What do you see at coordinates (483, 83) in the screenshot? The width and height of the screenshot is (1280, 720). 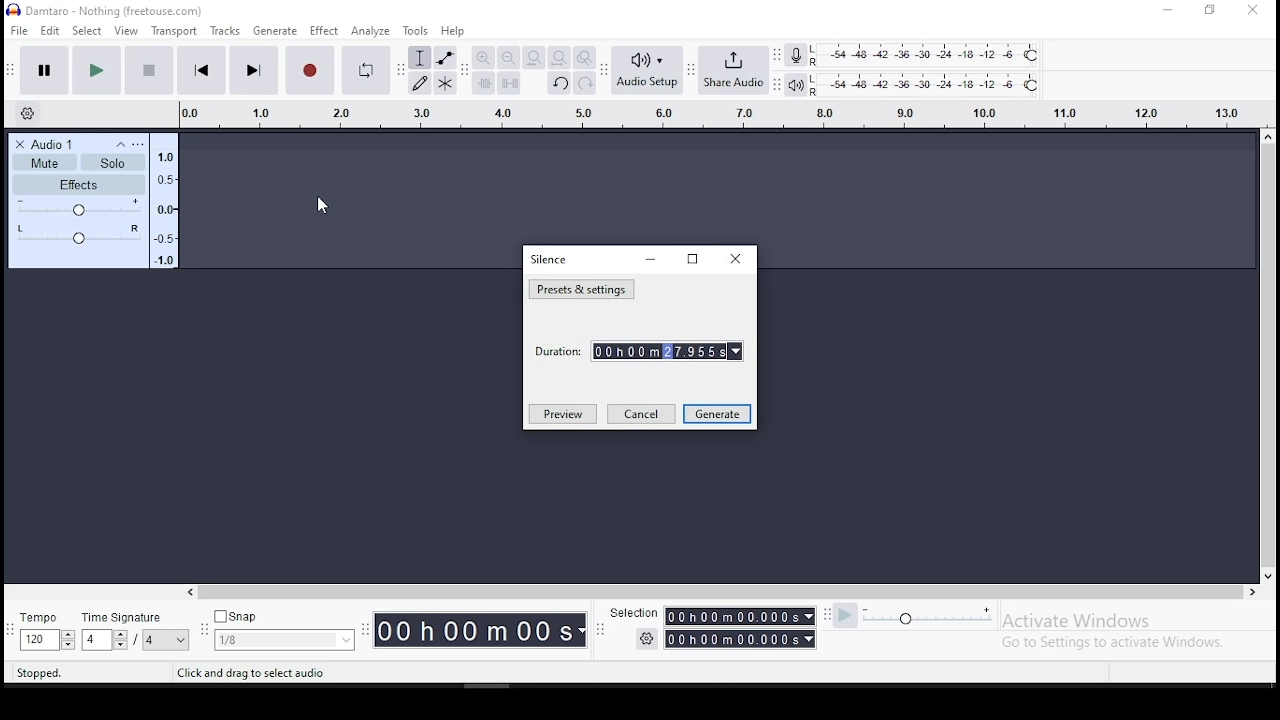 I see `trim audio outside selection` at bounding box center [483, 83].